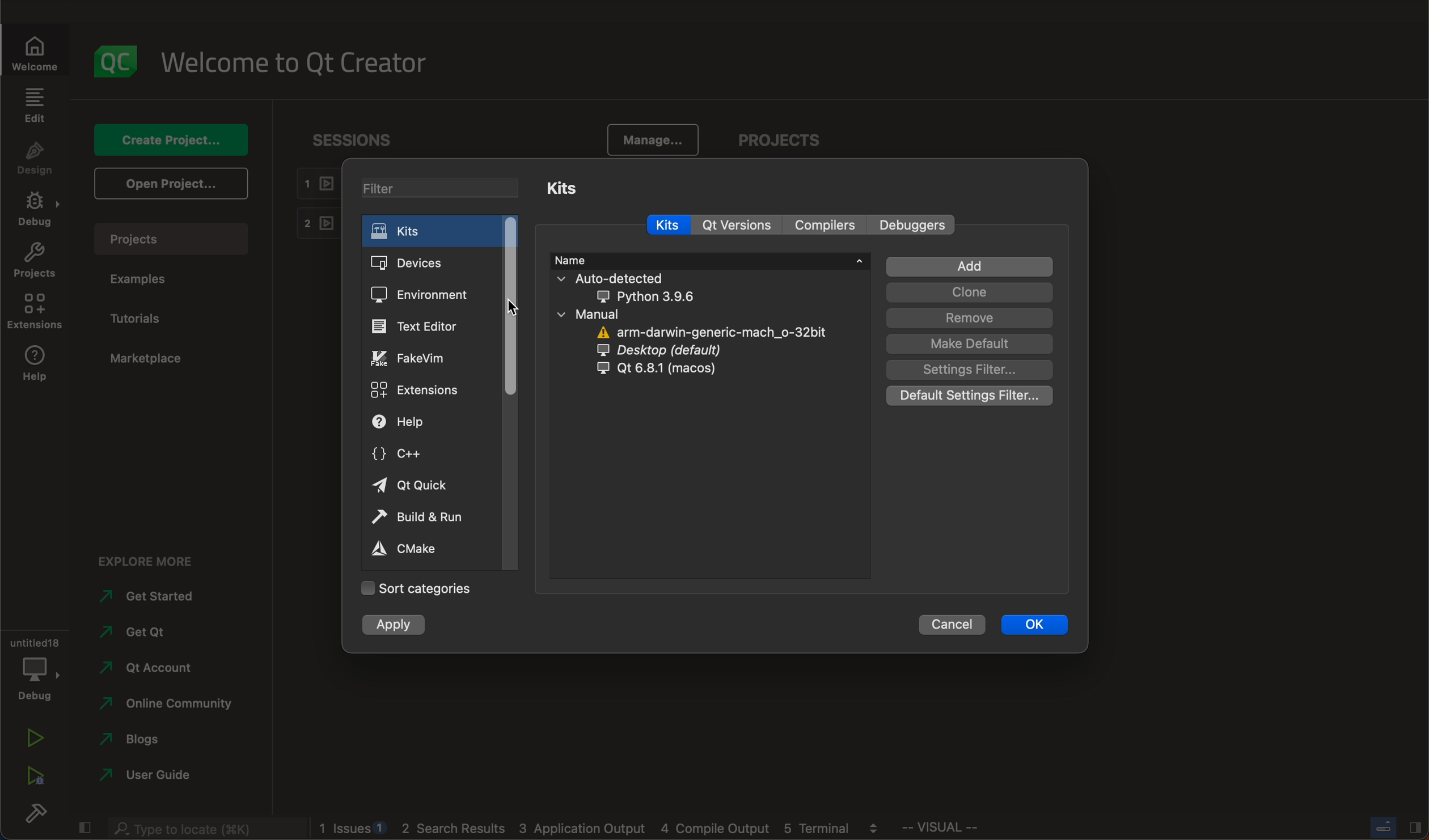 The height and width of the screenshot is (840, 1429). What do you see at coordinates (164, 632) in the screenshot?
I see `get qt` at bounding box center [164, 632].